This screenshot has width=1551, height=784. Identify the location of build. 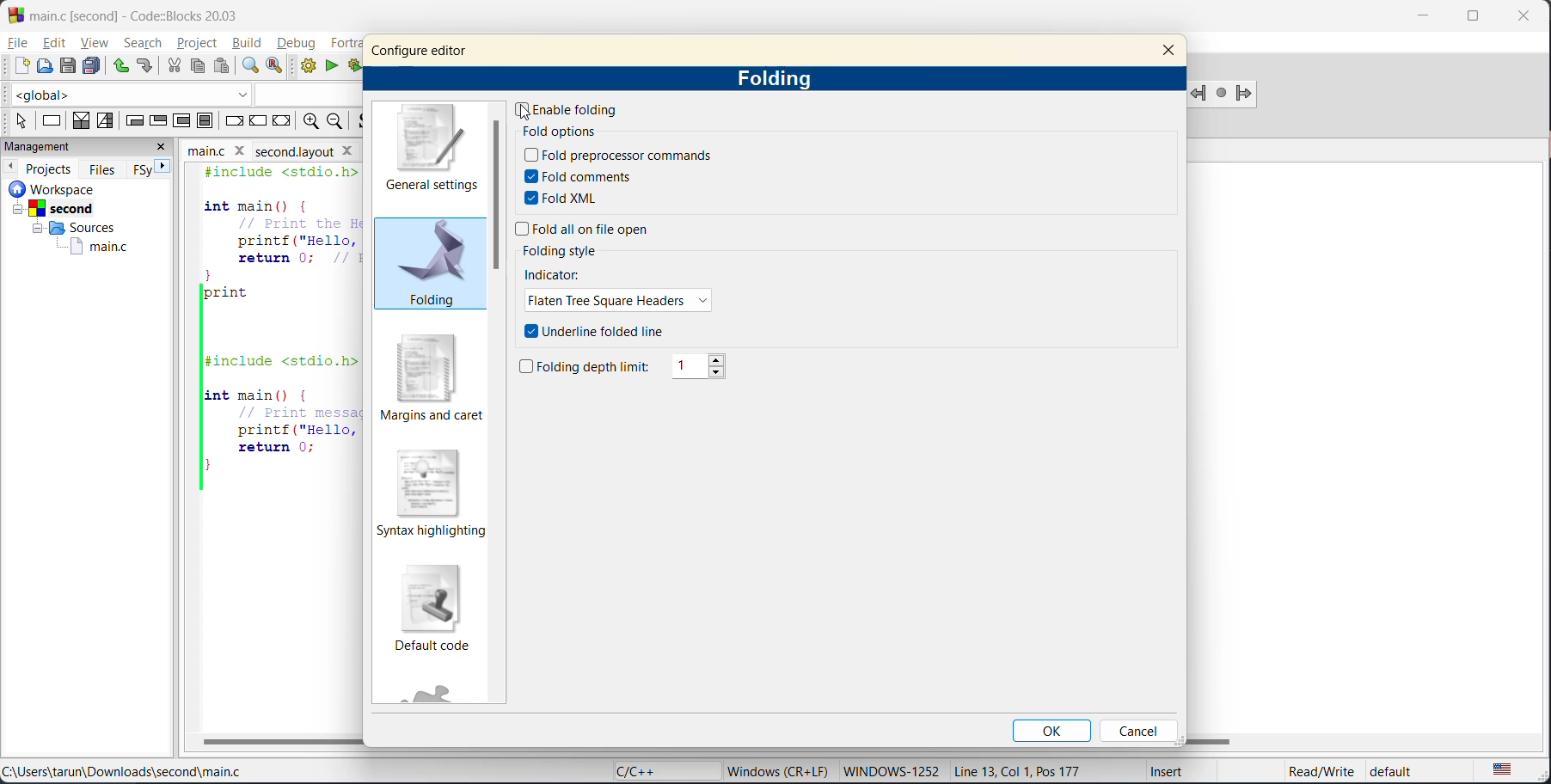
(310, 68).